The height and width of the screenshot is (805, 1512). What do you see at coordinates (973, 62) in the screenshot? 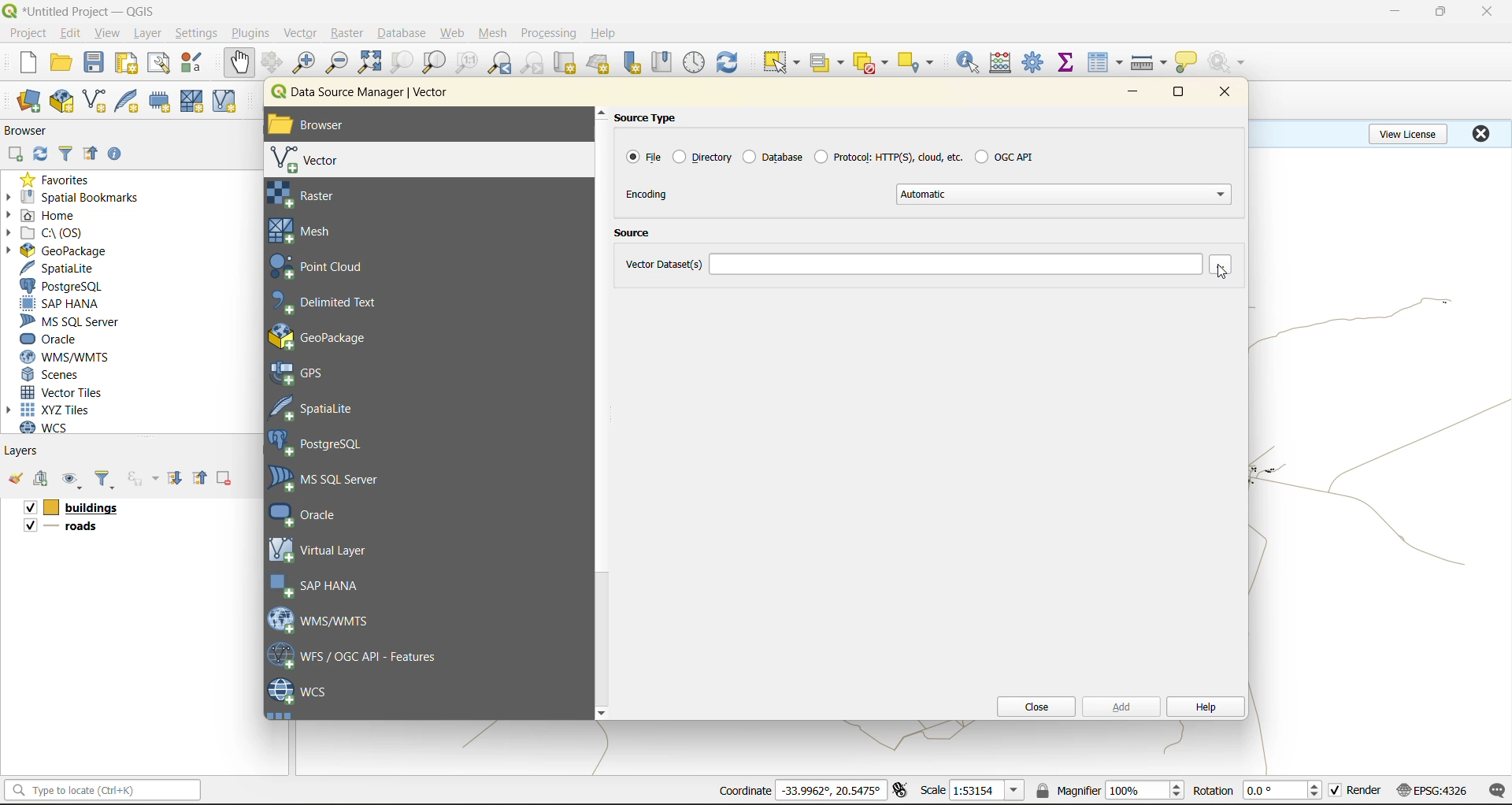
I see `identify features` at bounding box center [973, 62].